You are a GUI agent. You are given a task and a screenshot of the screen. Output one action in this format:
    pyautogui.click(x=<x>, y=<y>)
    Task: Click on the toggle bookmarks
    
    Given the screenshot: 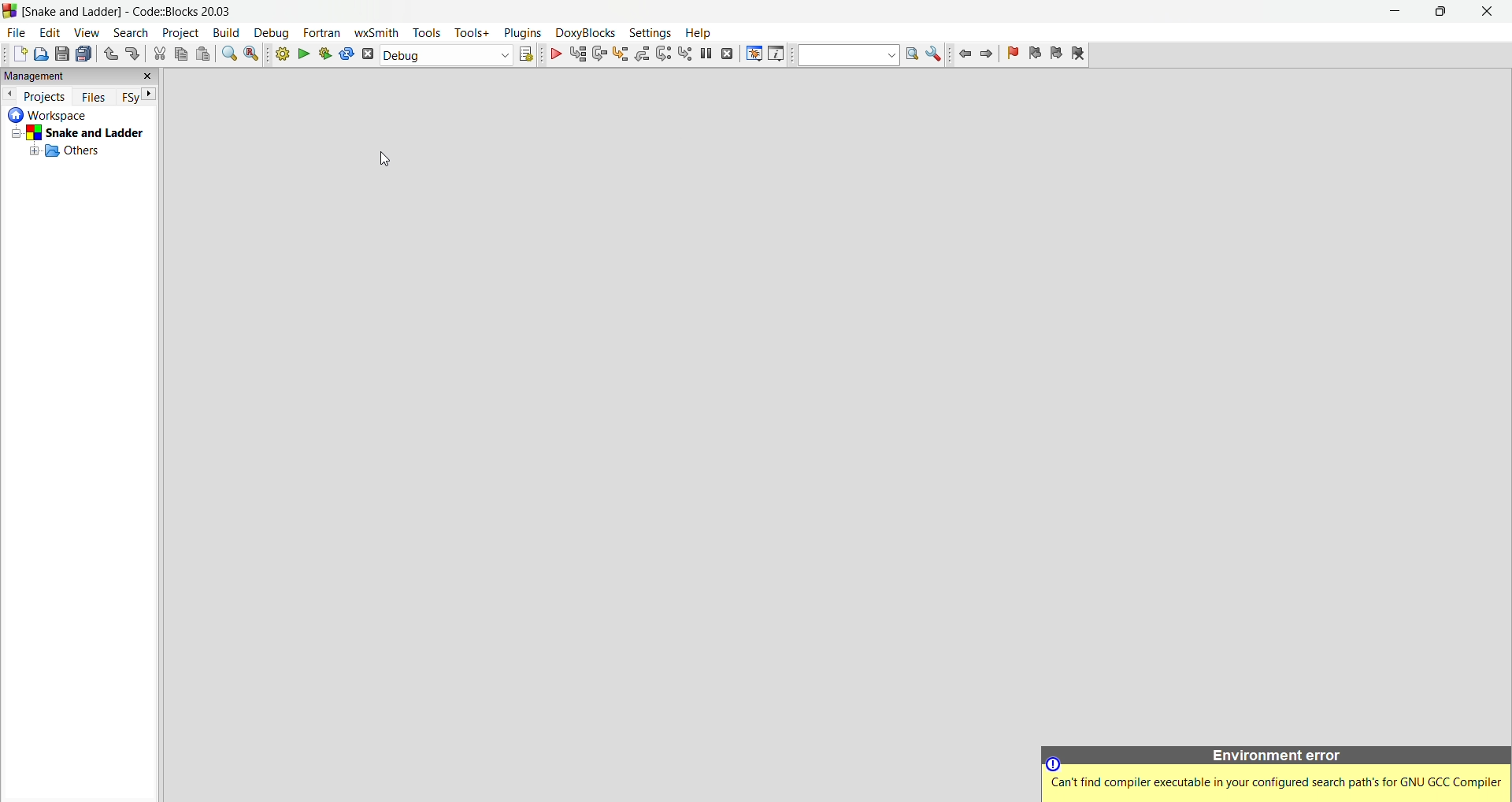 What is the action you would take?
    pyautogui.click(x=1012, y=54)
    